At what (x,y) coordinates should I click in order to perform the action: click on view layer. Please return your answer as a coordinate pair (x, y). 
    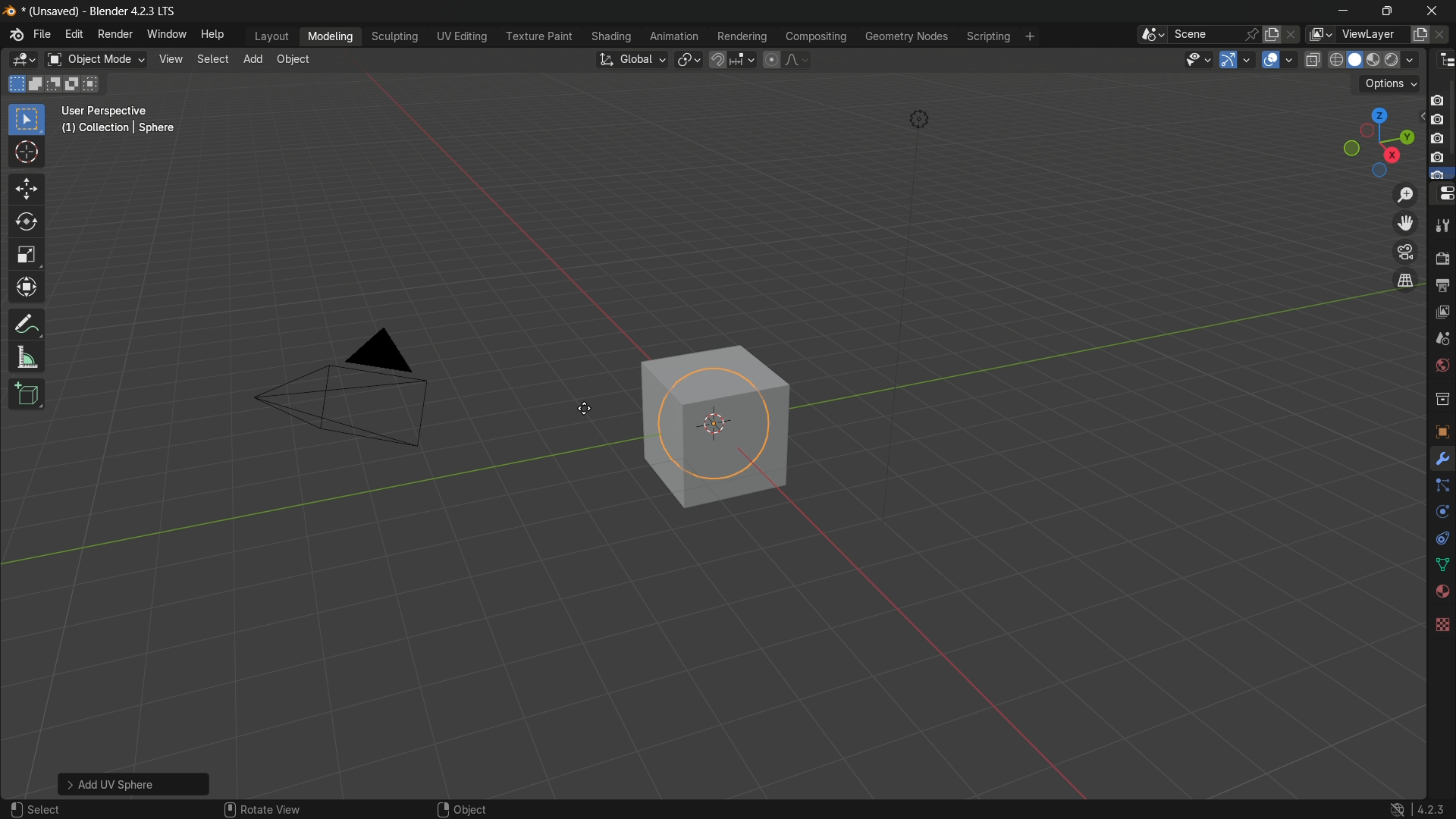
    Looking at the image, I should click on (1443, 312).